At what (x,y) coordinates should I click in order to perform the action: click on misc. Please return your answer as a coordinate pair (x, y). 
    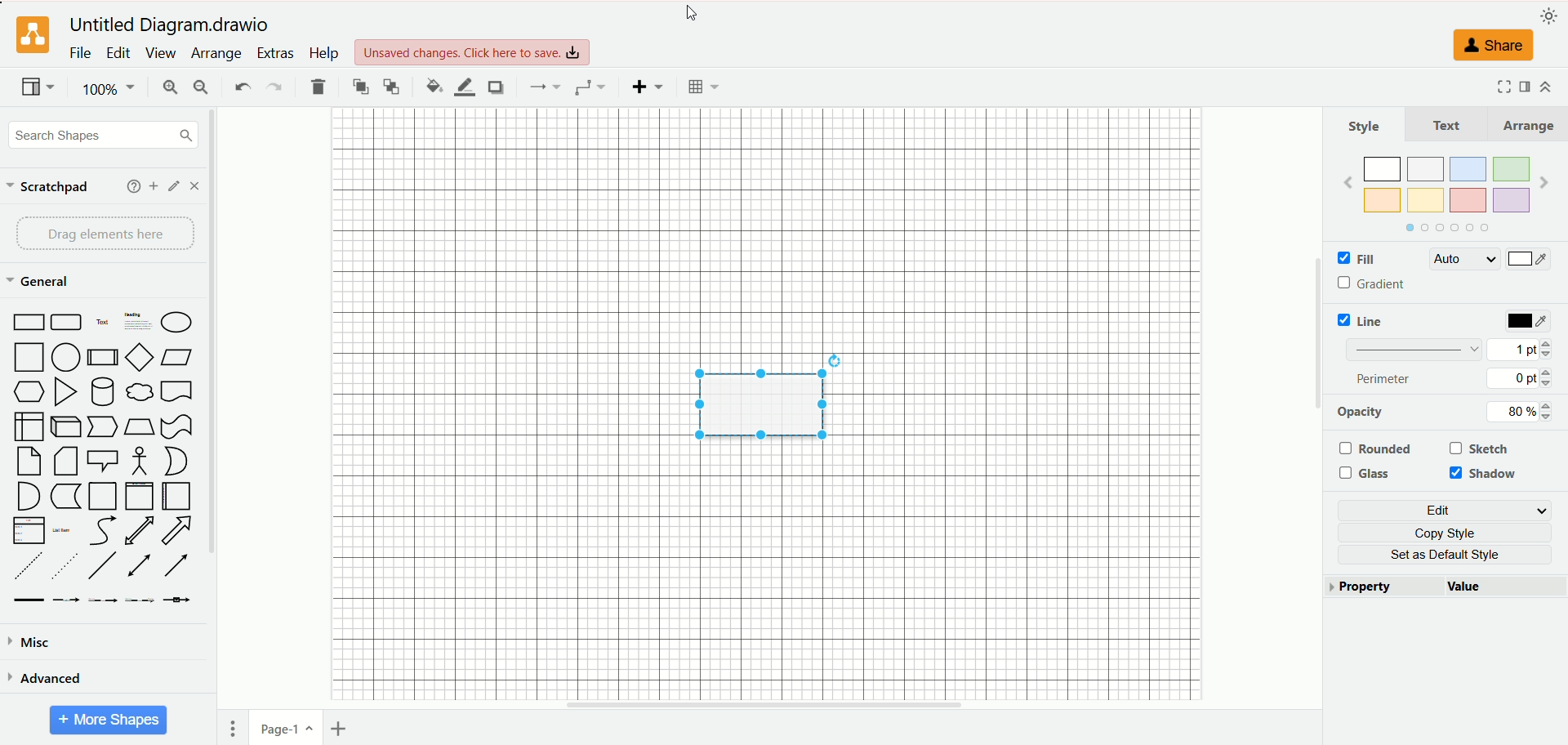
    Looking at the image, I should click on (31, 643).